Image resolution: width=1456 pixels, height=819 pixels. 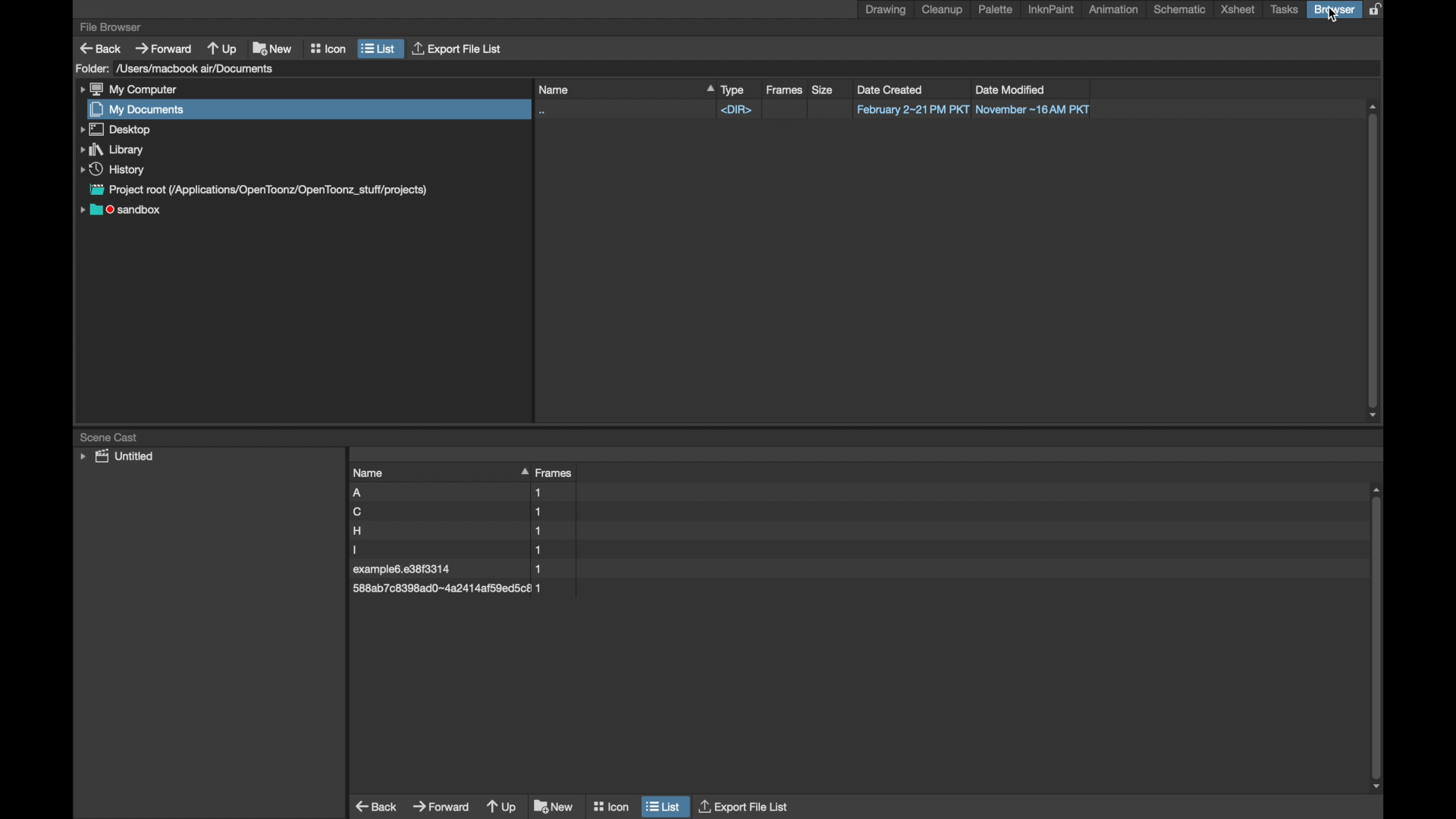 I want to click on browser, so click(x=1335, y=10).